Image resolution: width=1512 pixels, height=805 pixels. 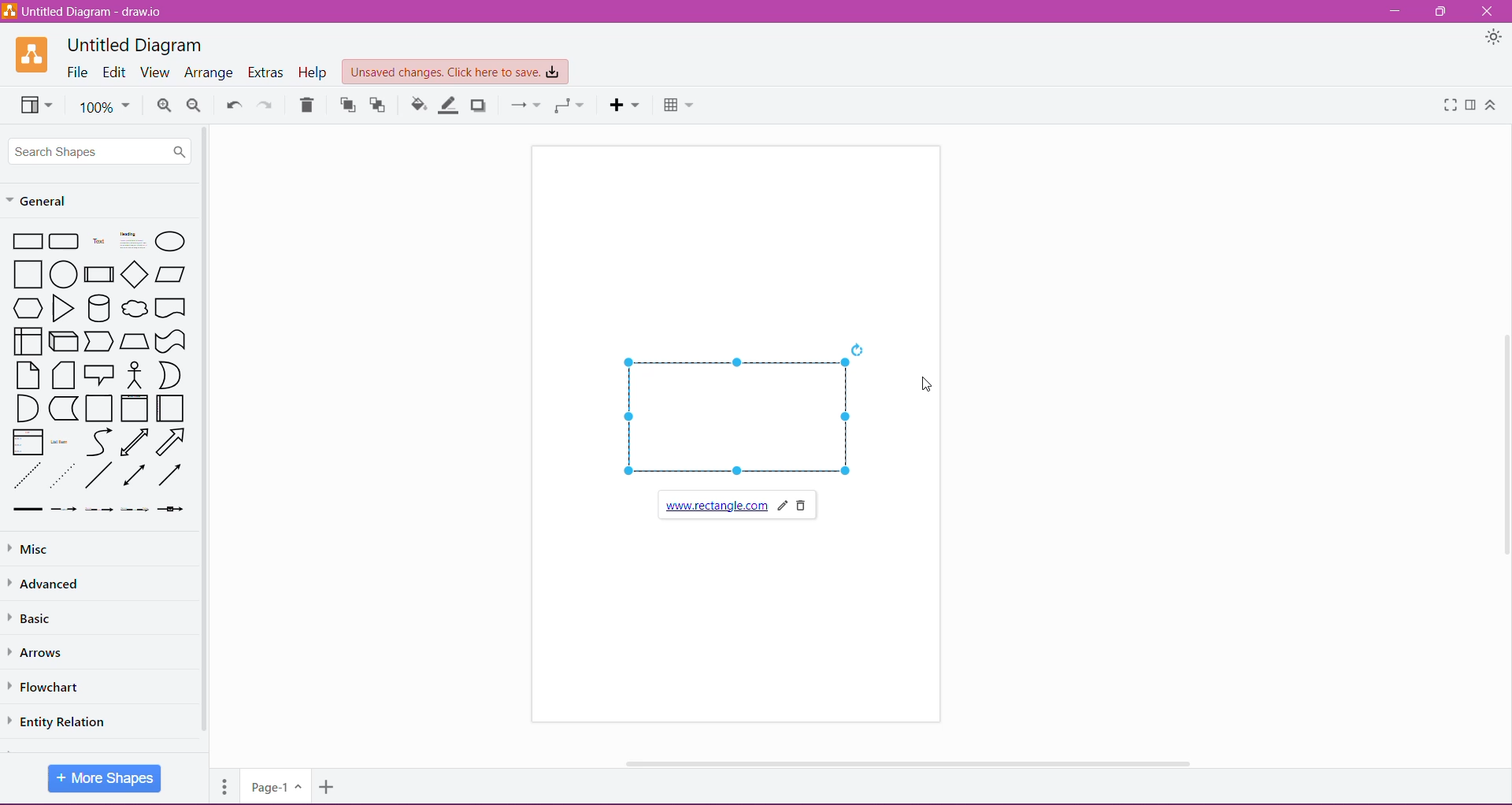 I want to click on File, so click(x=76, y=72).